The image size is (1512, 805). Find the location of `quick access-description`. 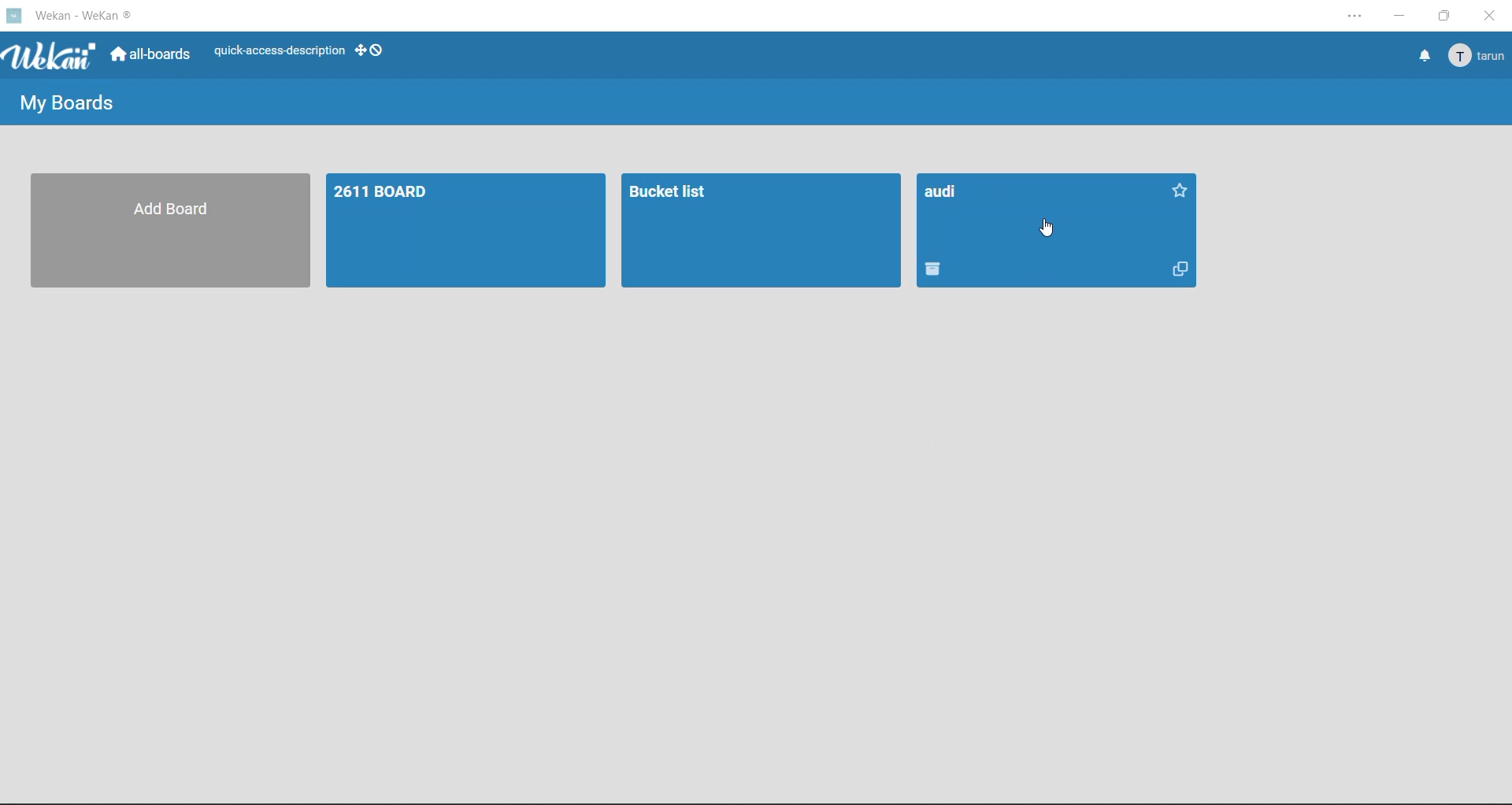

quick access-description is located at coordinates (279, 52).